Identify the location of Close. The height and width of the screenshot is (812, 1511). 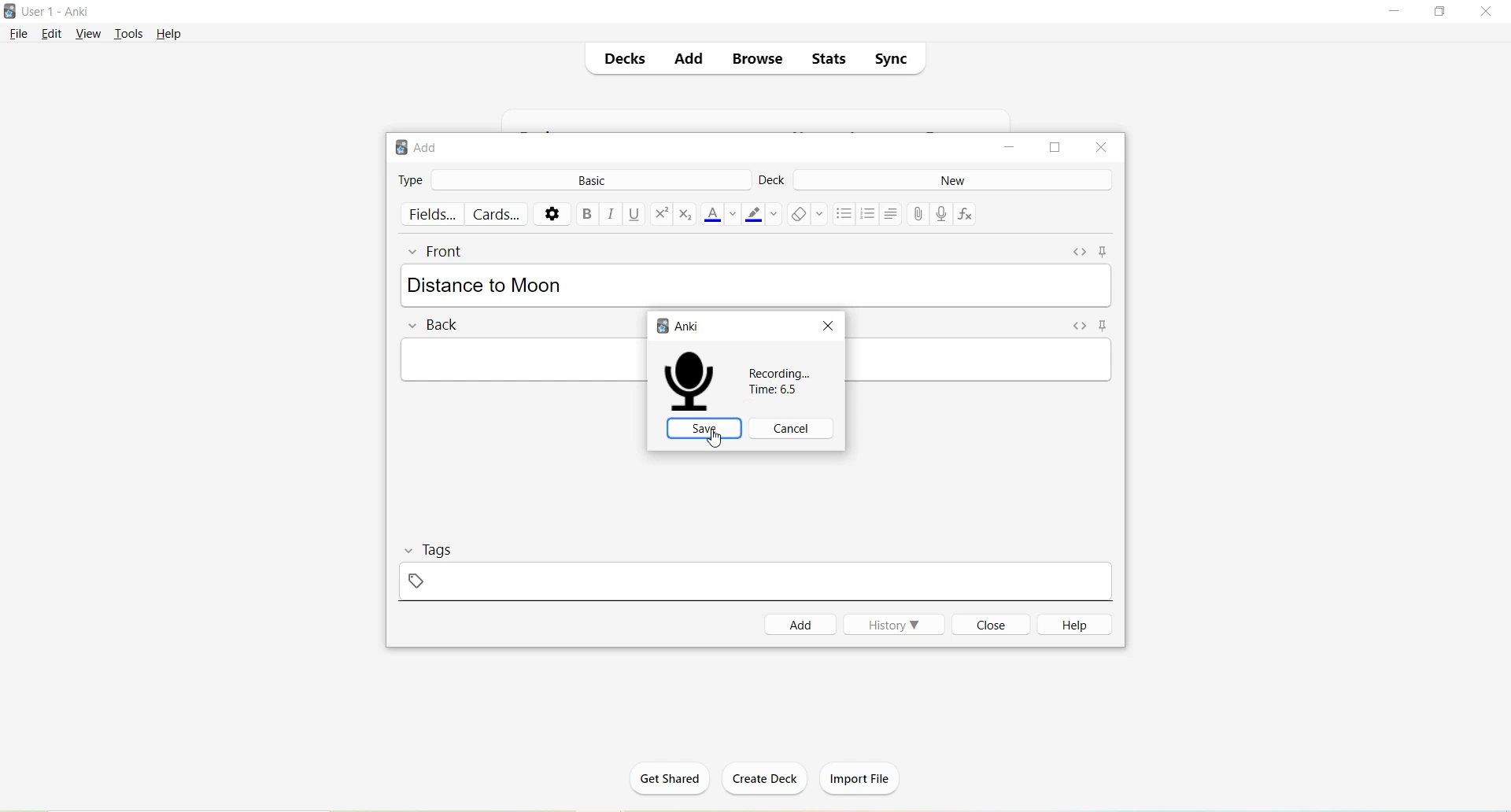
(988, 624).